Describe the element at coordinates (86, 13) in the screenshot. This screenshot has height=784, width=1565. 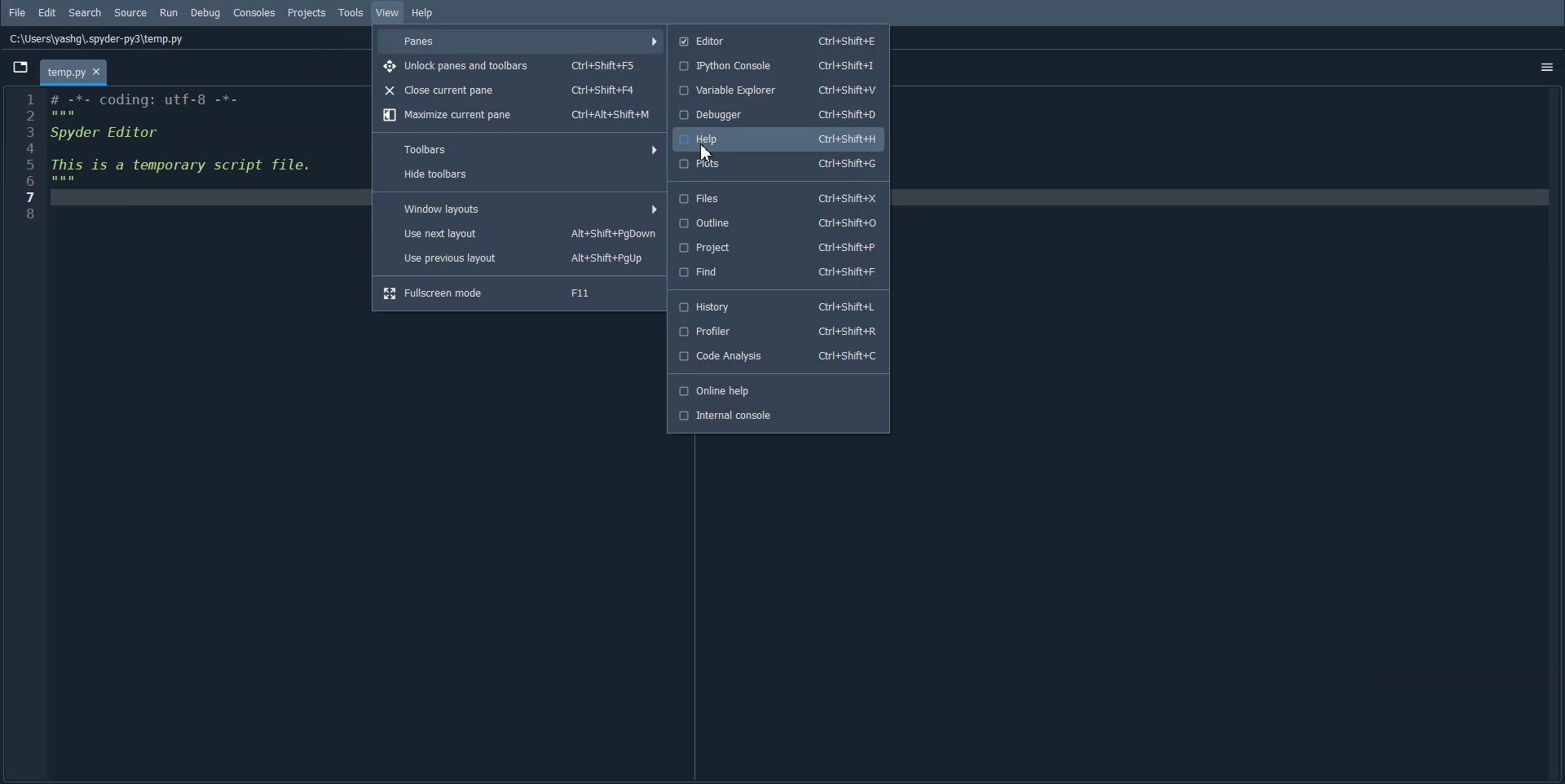
I see `Search` at that location.